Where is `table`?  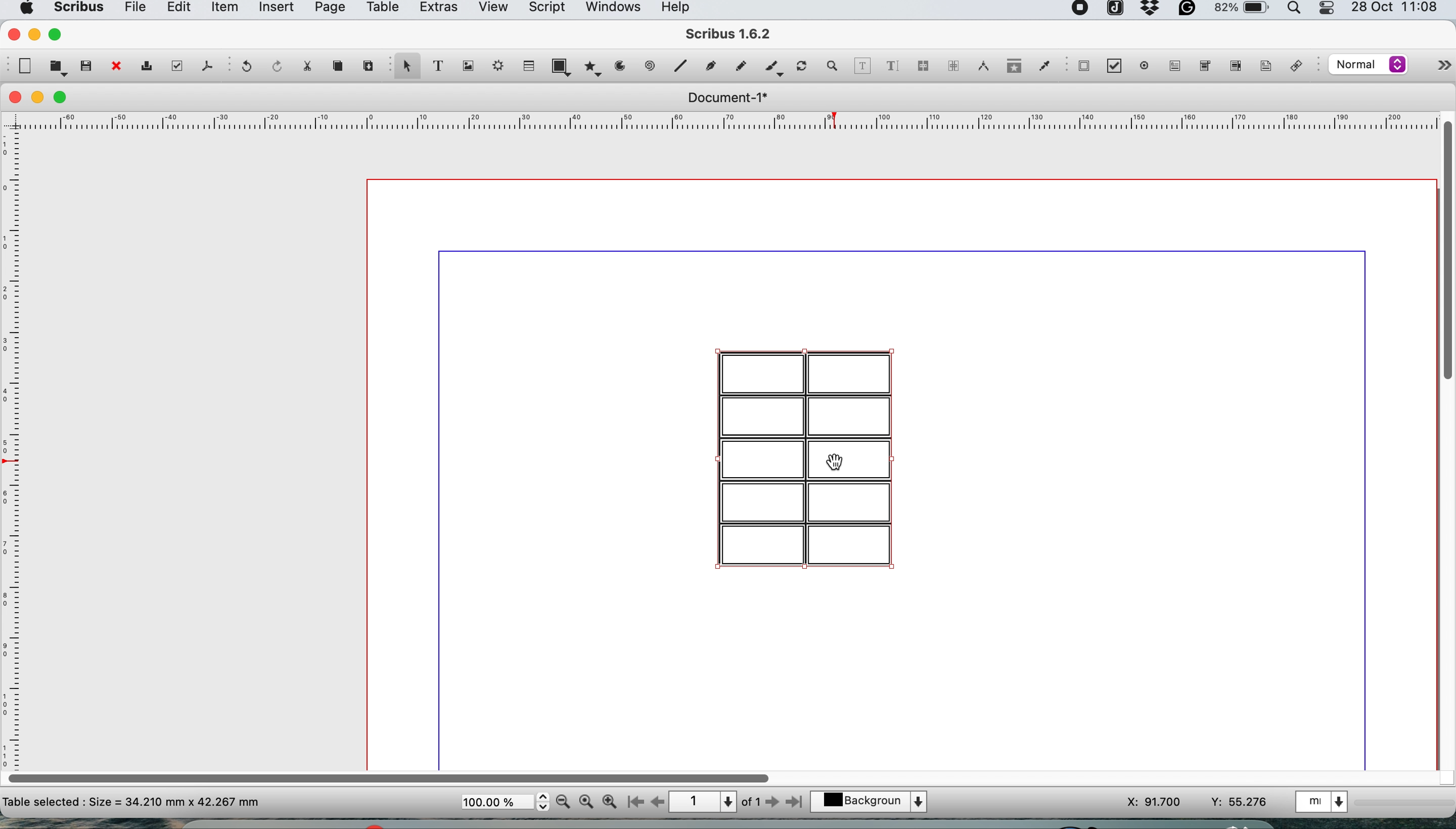 table is located at coordinates (381, 9).